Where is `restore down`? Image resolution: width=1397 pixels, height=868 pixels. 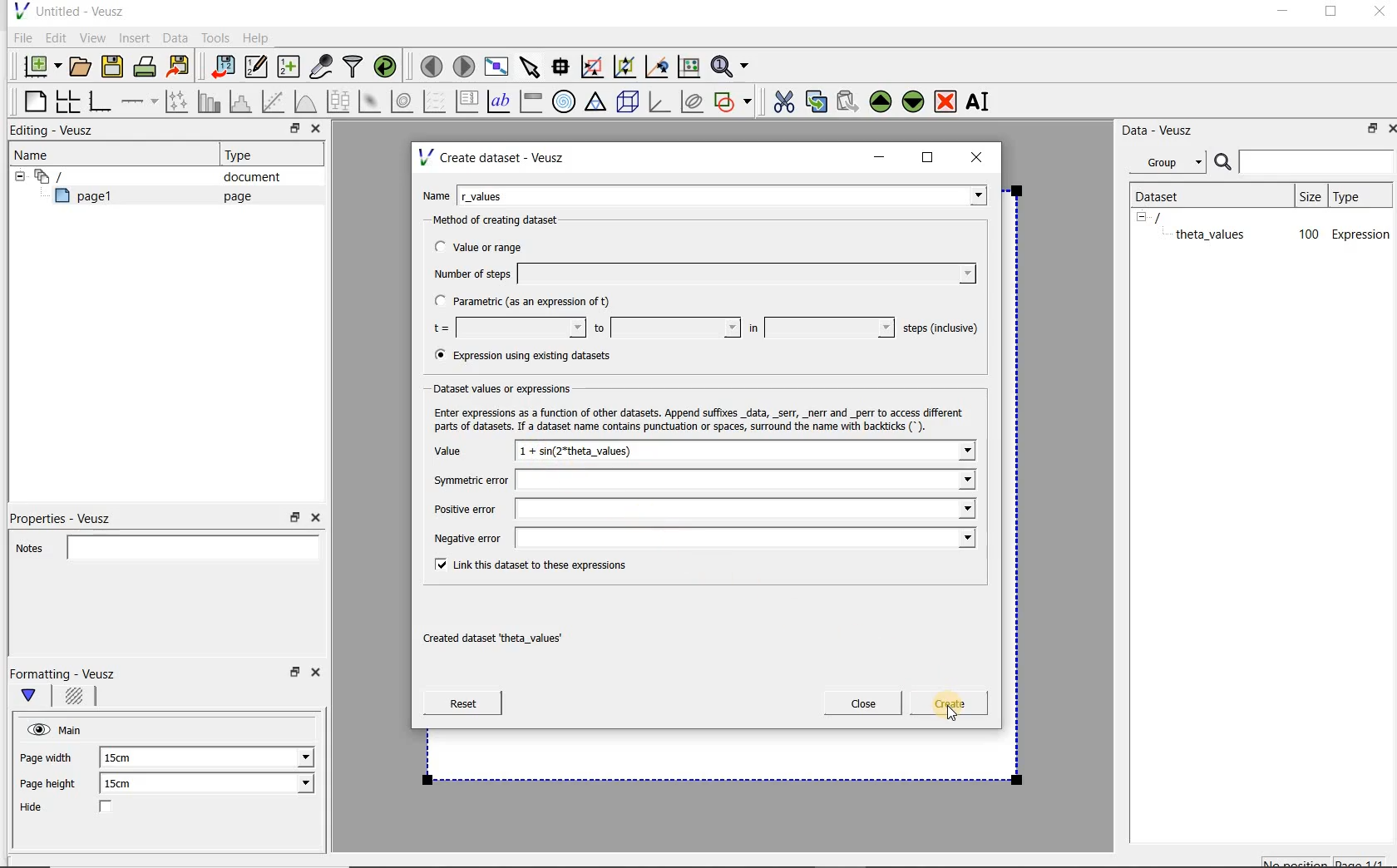 restore down is located at coordinates (290, 131).